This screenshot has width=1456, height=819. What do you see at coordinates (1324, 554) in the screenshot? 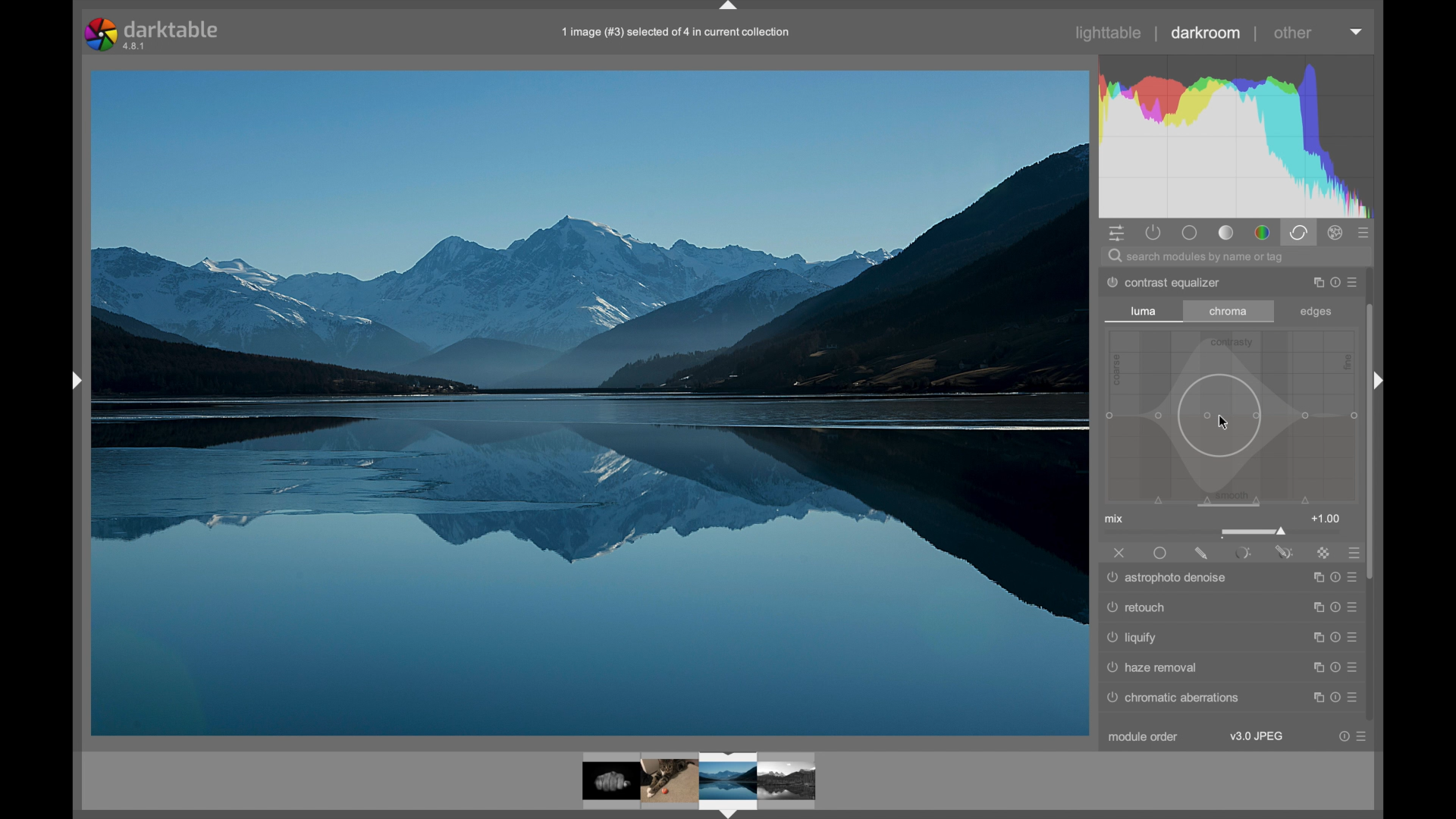
I see `raster mask` at bounding box center [1324, 554].